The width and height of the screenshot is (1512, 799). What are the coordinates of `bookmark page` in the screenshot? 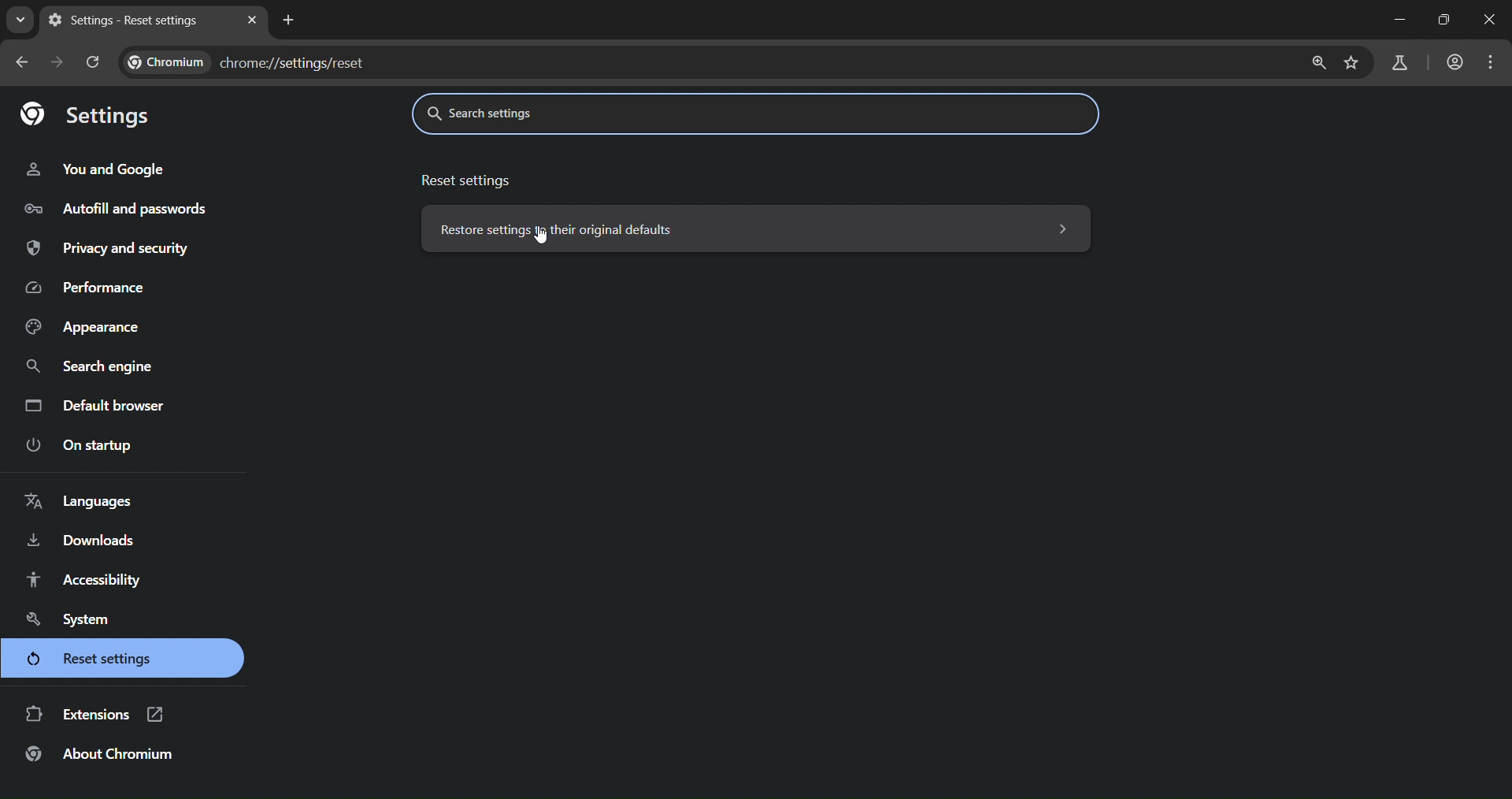 It's located at (1353, 65).